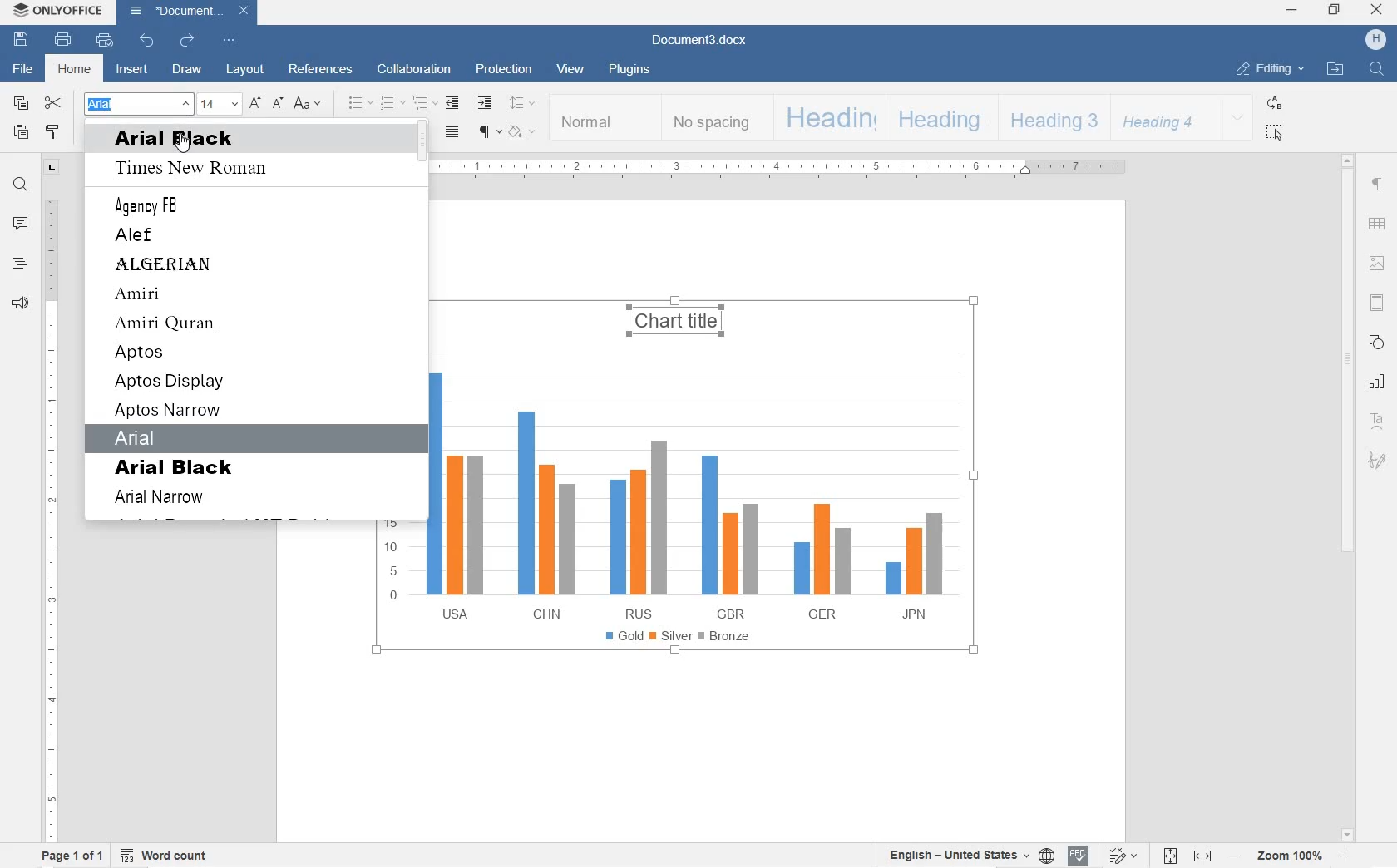 The width and height of the screenshot is (1397, 868). Describe the element at coordinates (176, 468) in the screenshot. I see `ARIAL BLACK` at that location.